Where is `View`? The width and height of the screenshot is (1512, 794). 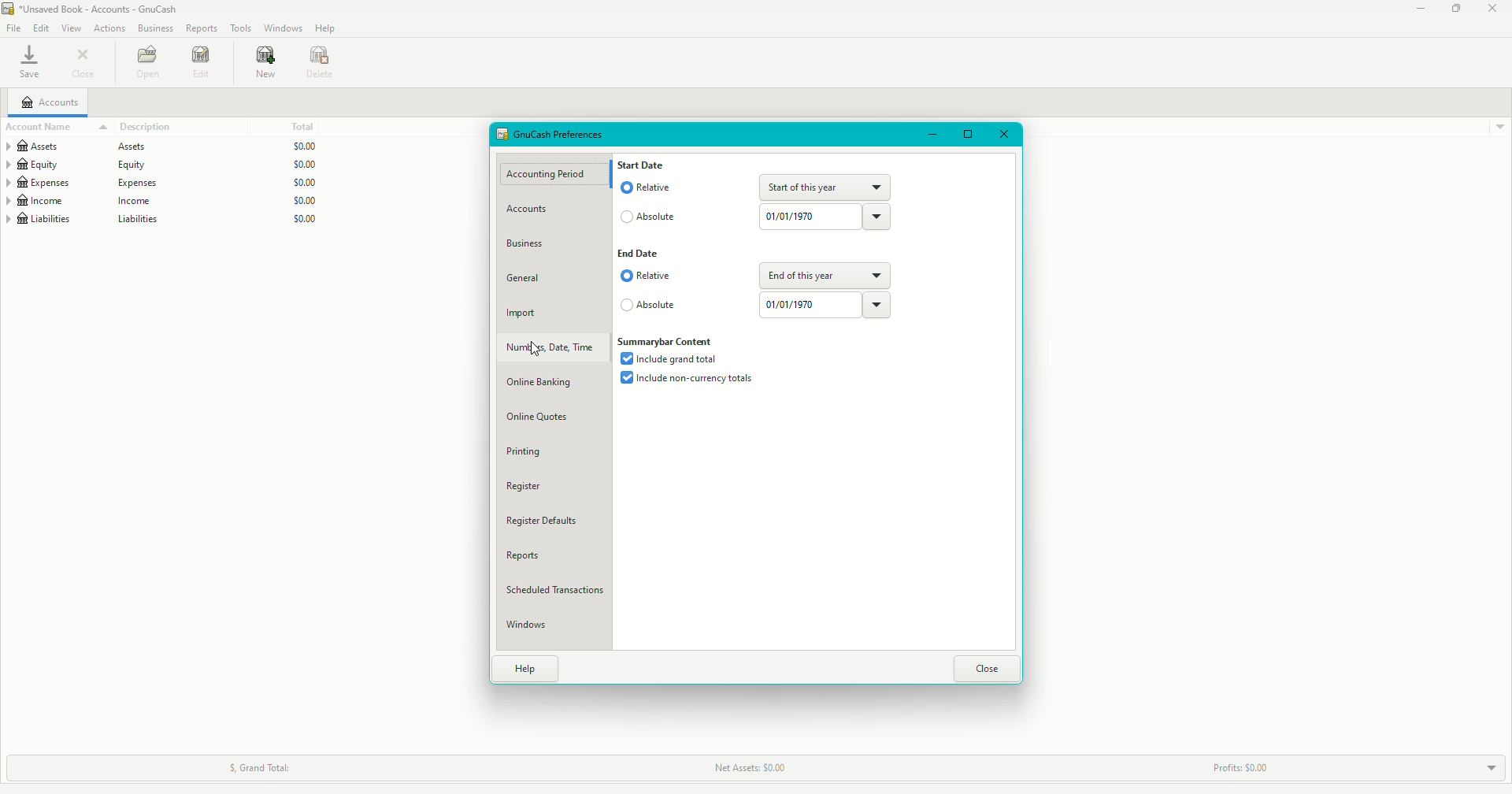
View is located at coordinates (72, 28).